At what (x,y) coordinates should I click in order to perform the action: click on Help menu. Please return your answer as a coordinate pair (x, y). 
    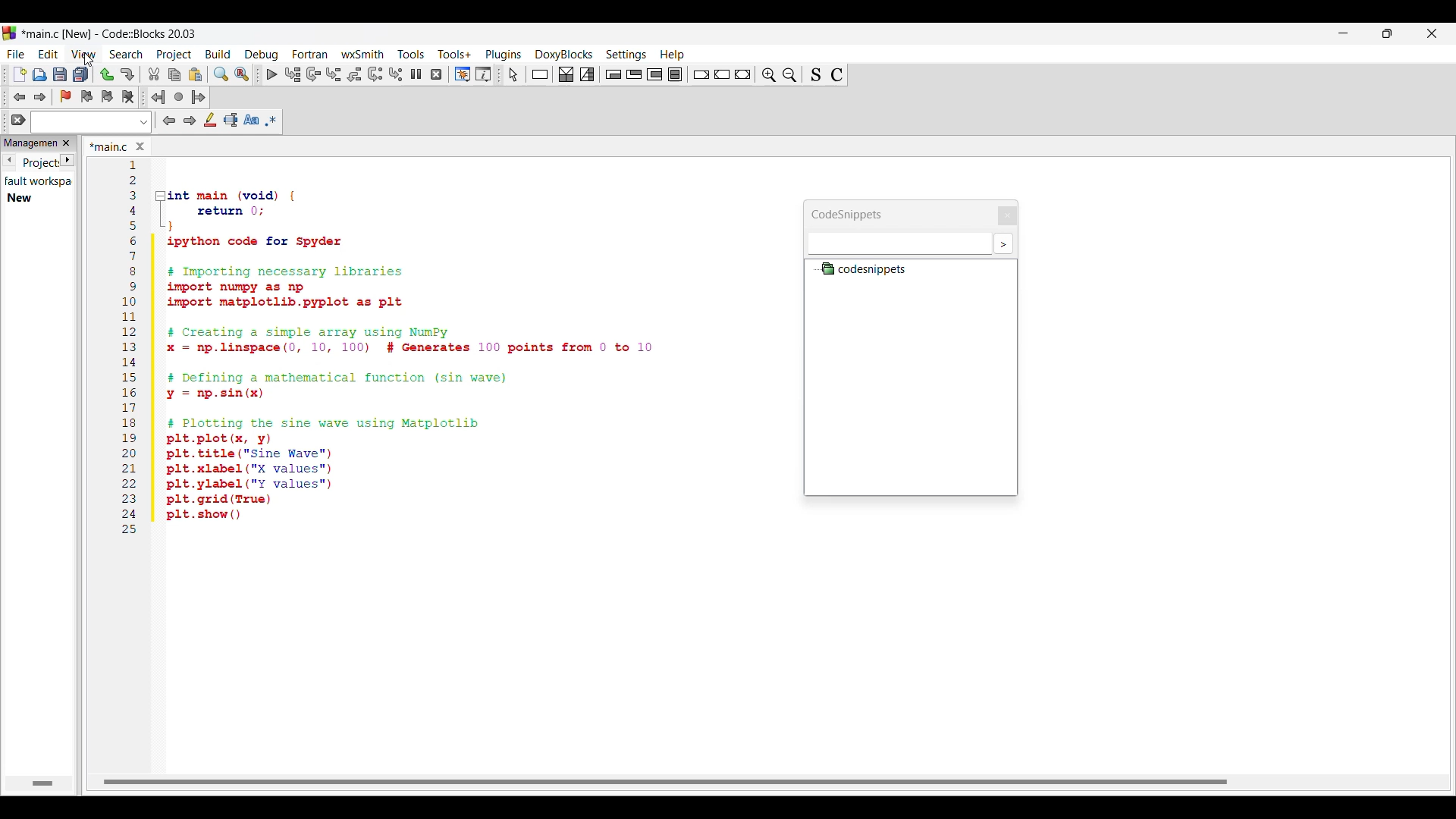
    Looking at the image, I should click on (672, 55).